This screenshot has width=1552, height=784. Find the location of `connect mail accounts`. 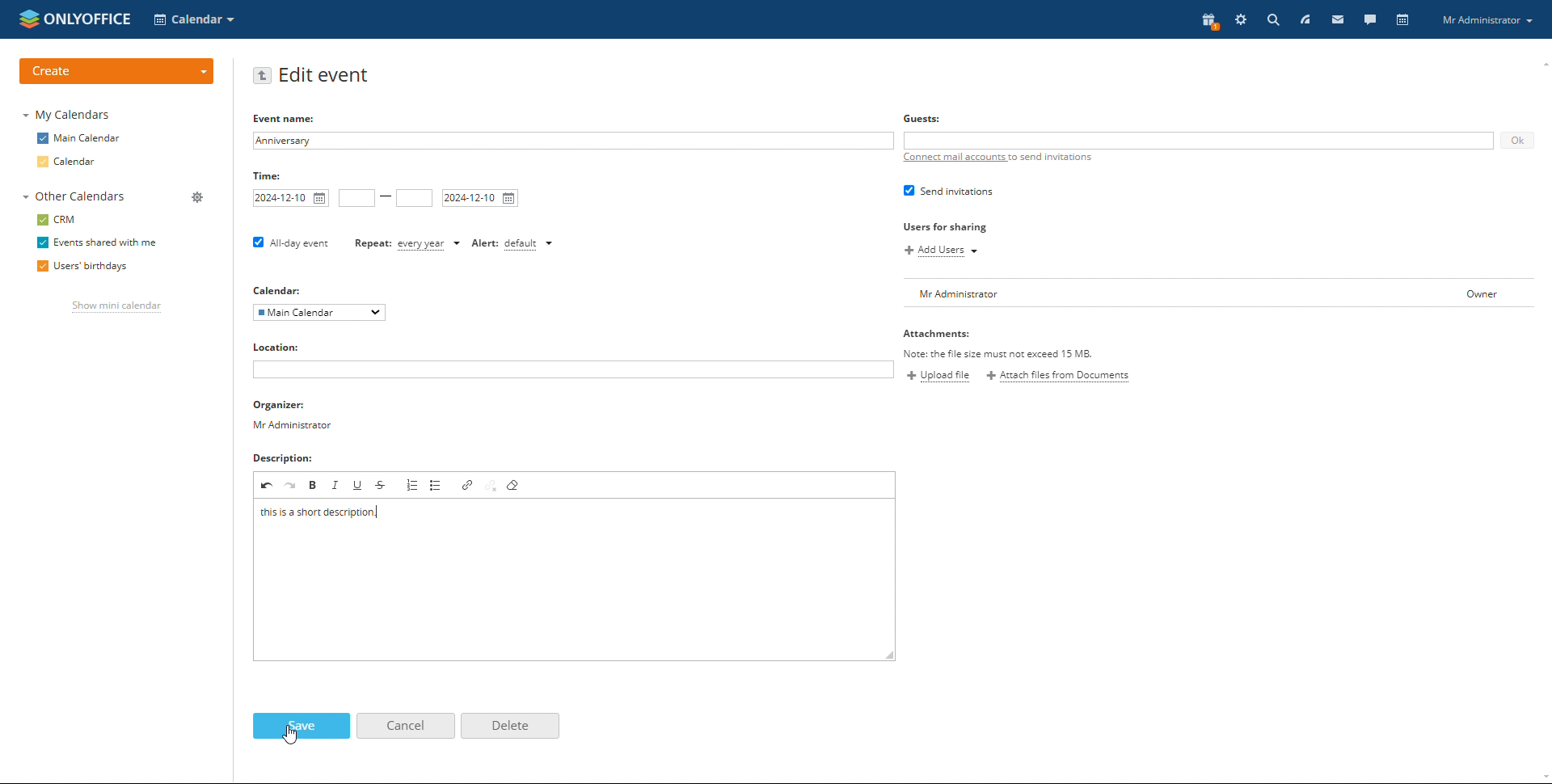

connect mail accounts is located at coordinates (994, 158).